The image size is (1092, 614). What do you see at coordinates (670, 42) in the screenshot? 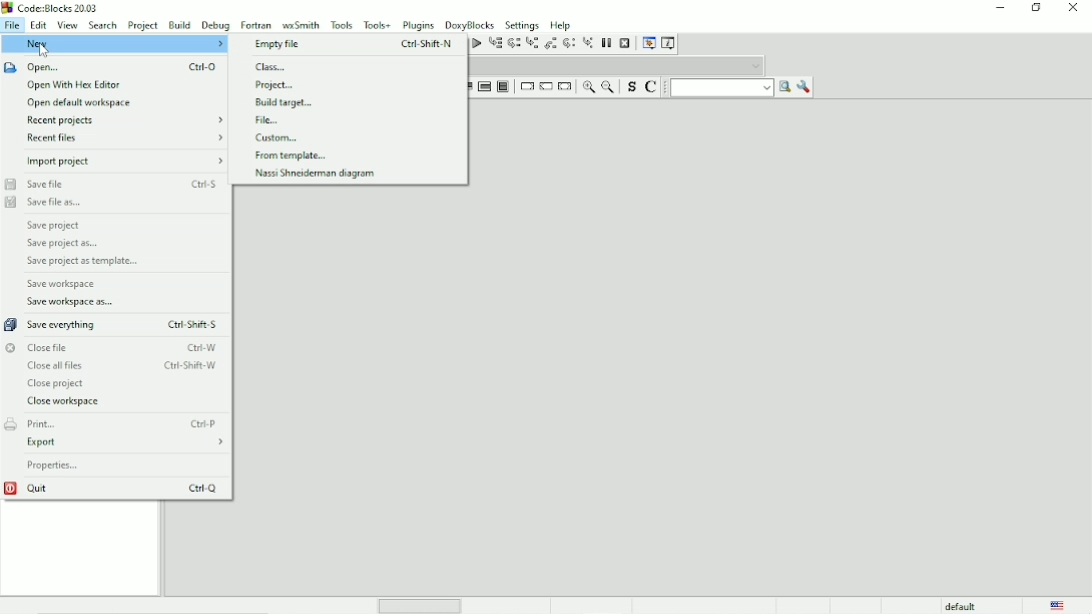
I see `Various info` at bounding box center [670, 42].